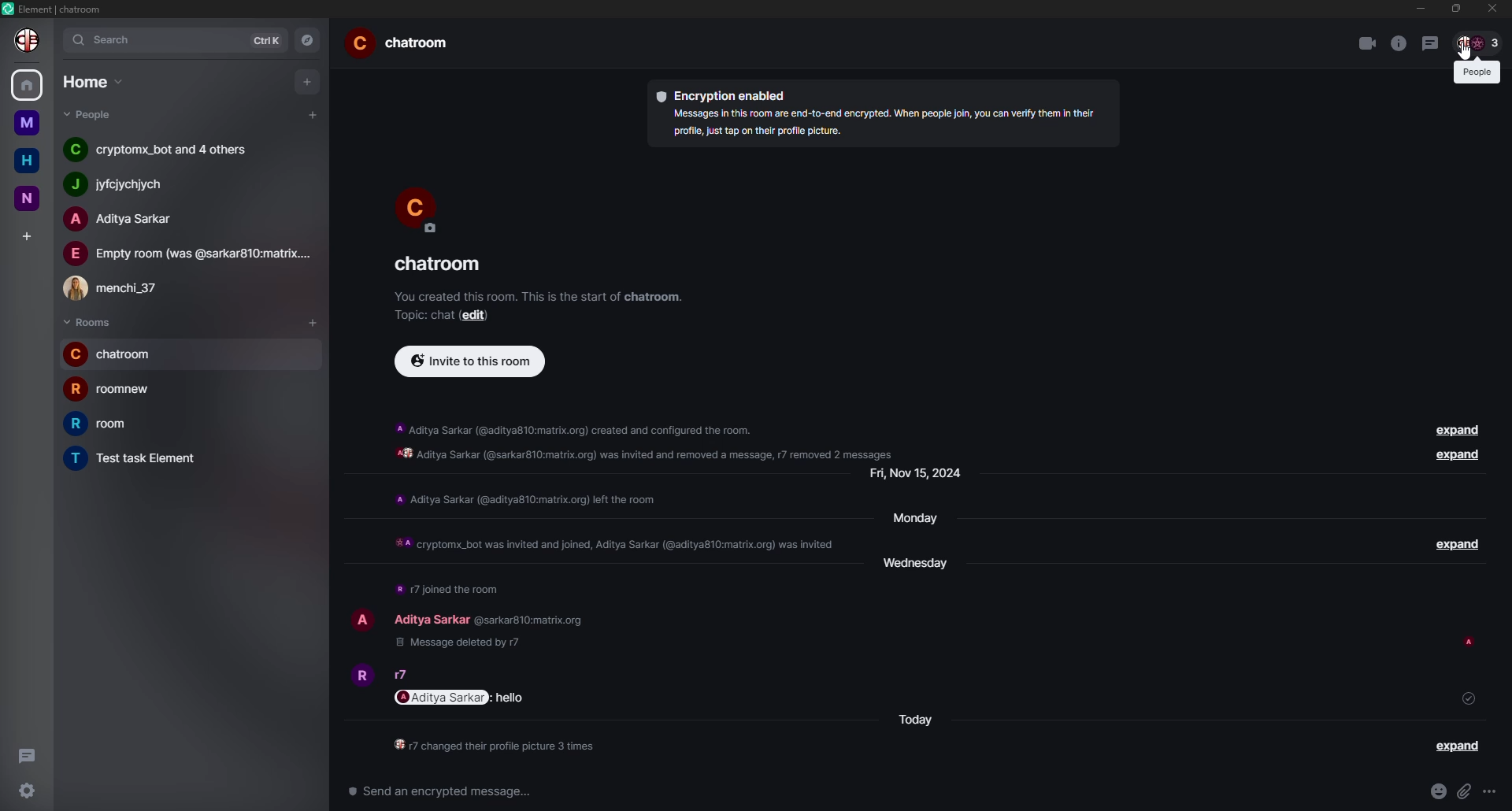 This screenshot has height=811, width=1512. What do you see at coordinates (124, 184) in the screenshot?
I see `people` at bounding box center [124, 184].